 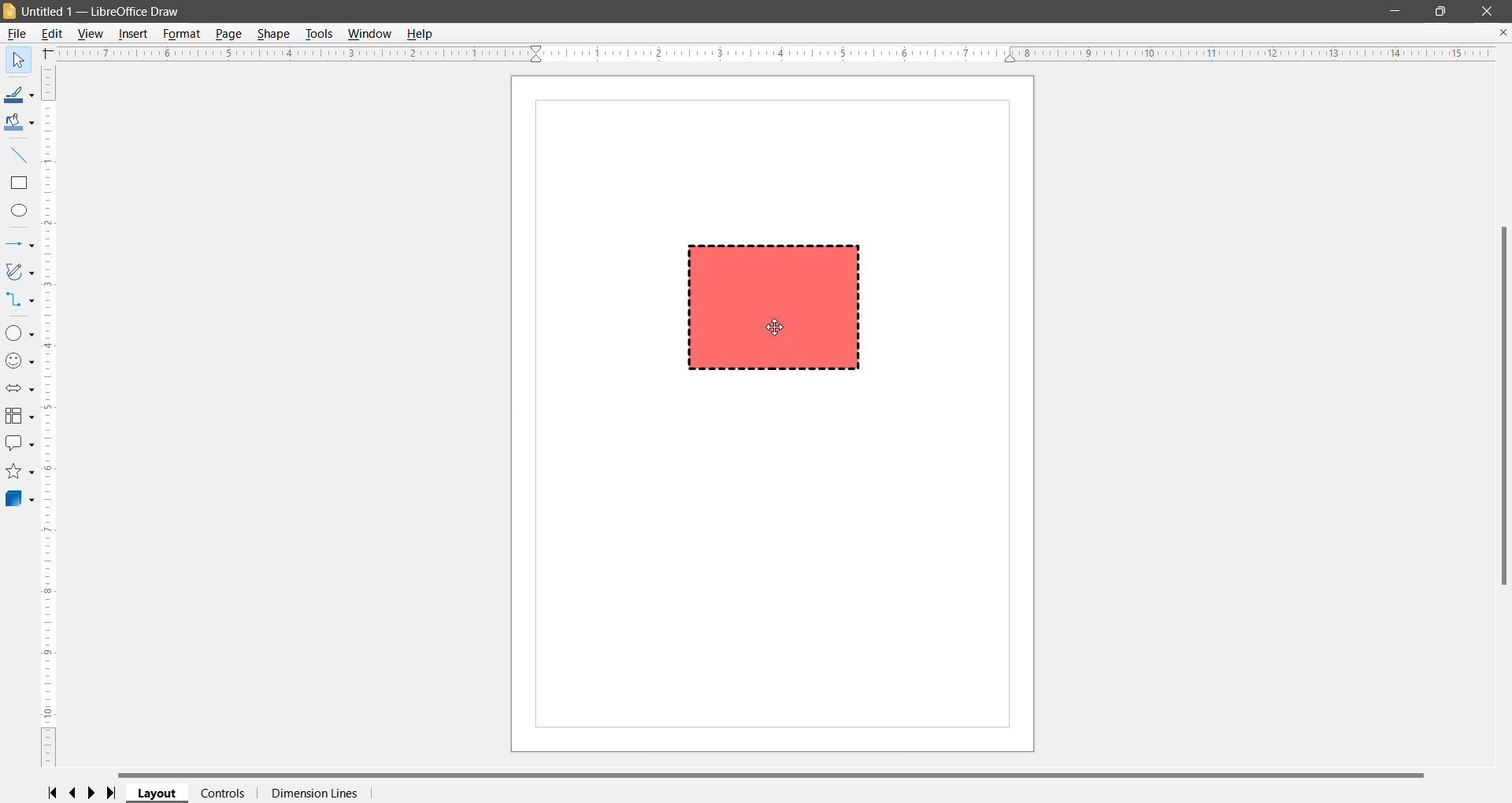 I want to click on Scroll to next page, so click(x=93, y=794).